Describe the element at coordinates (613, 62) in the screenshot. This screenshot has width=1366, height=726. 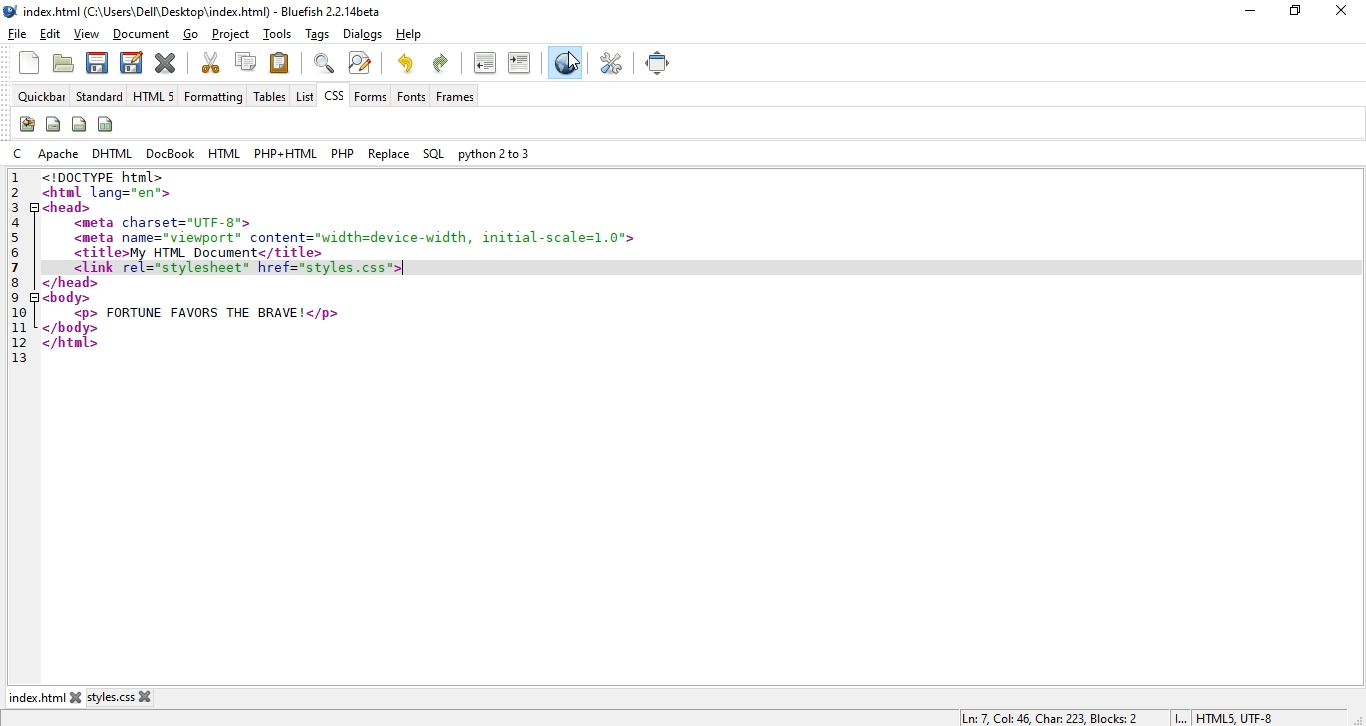
I see `edit preferences` at that location.